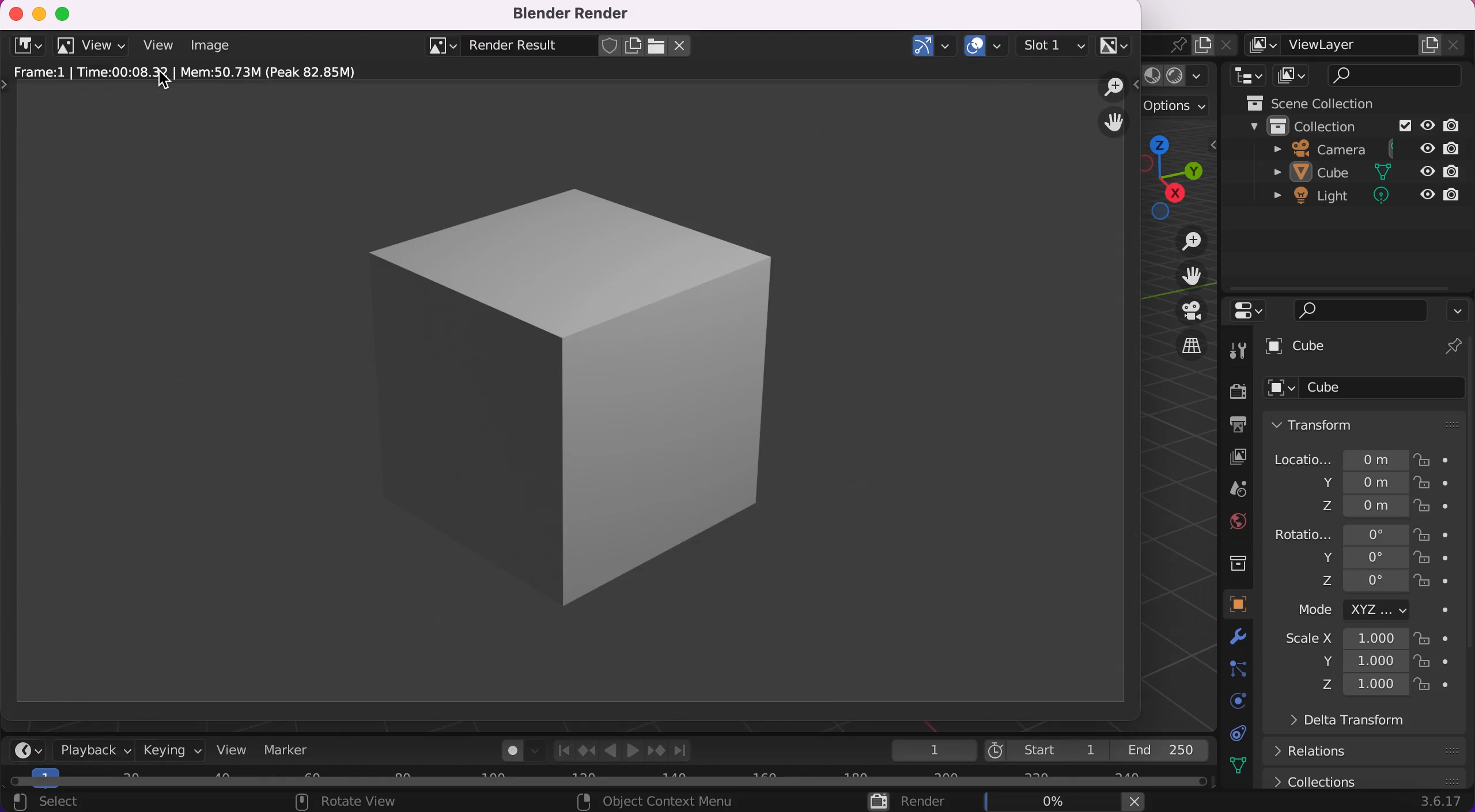 This screenshot has width=1475, height=812. What do you see at coordinates (1364, 347) in the screenshot?
I see `cube` at bounding box center [1364, 347].